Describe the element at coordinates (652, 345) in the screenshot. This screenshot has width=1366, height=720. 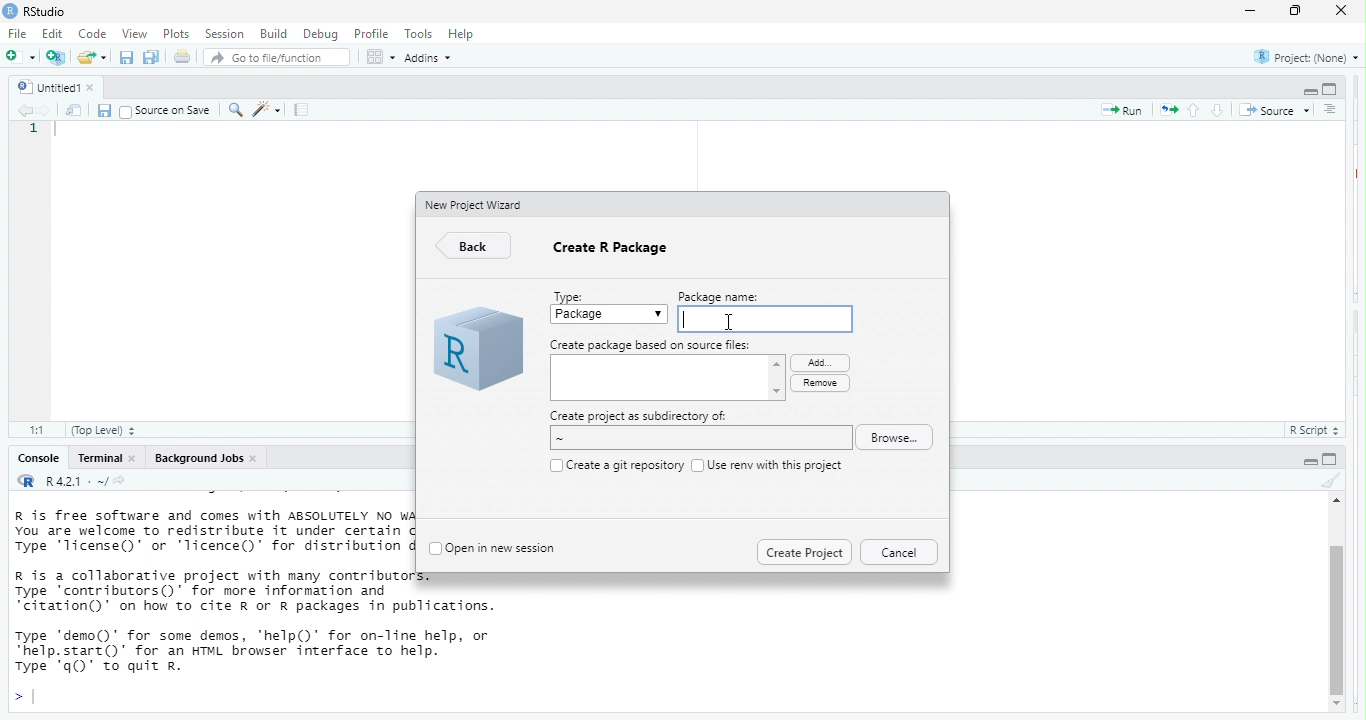
I see `Create package based on source files:` at that location.